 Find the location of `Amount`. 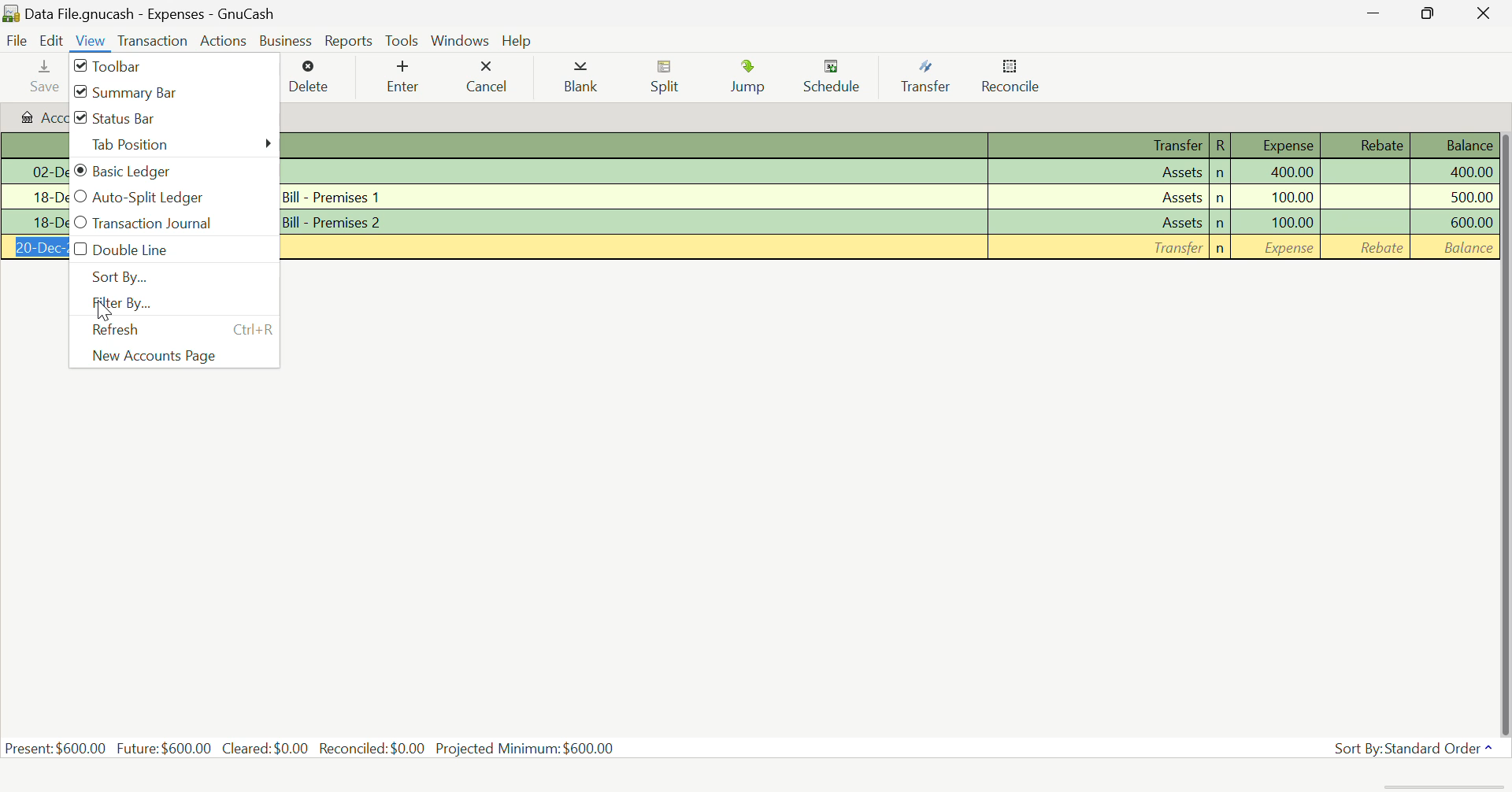

Amount is located at coordinates (1454, 198).